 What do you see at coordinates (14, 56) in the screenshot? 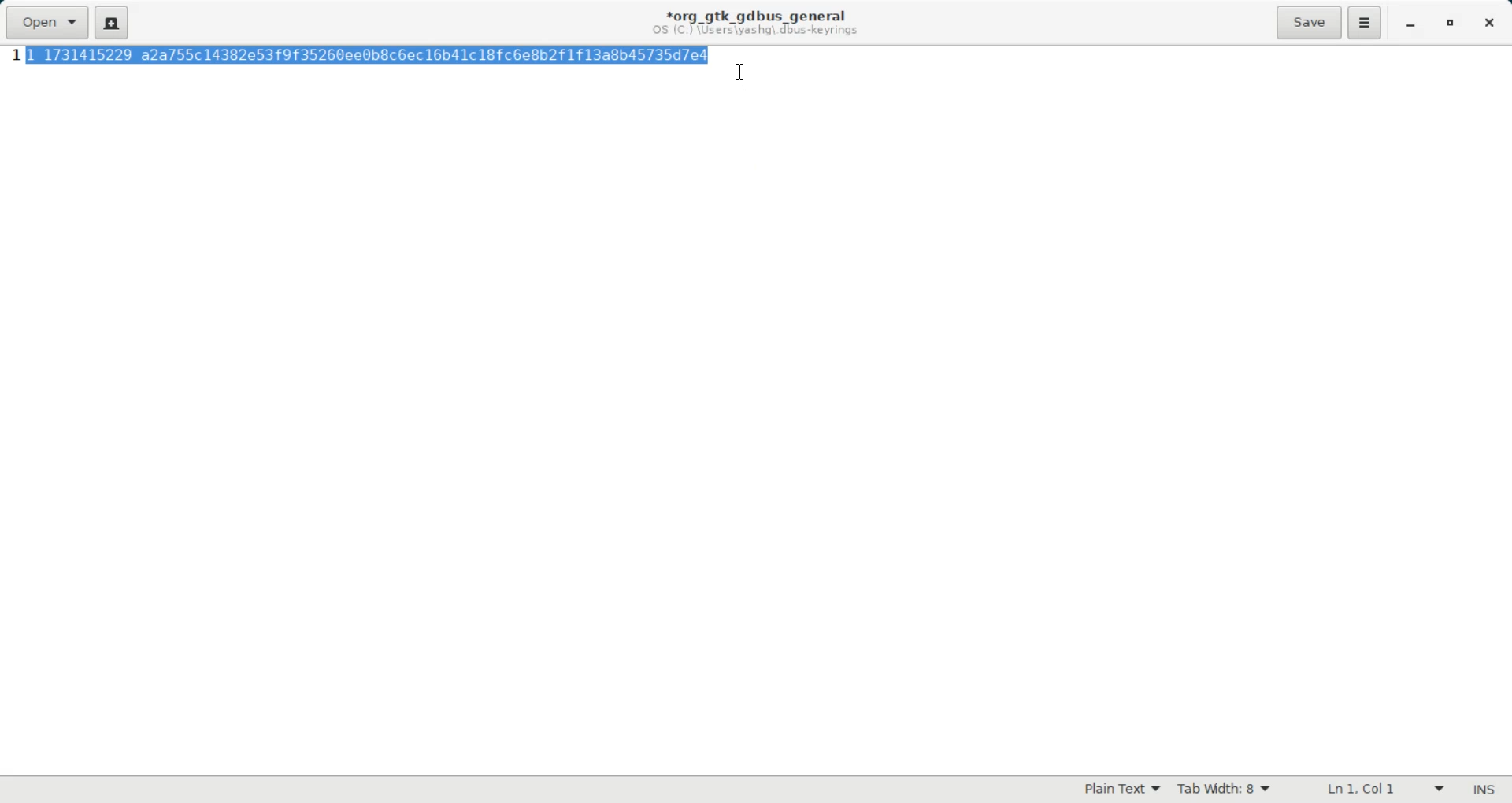
I see `Line Number` at bounding box center [14, 56].